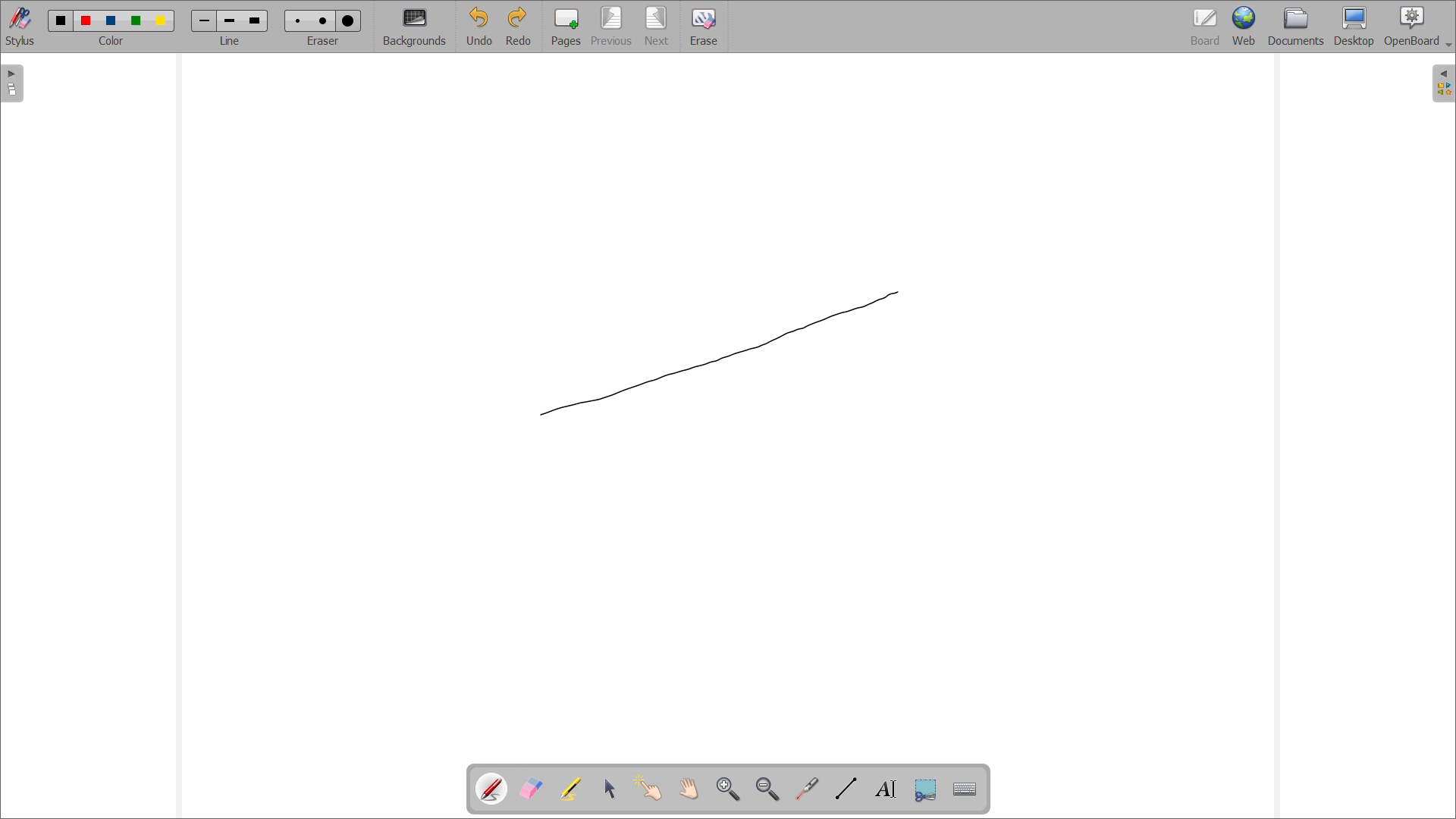 The height and width of the screenshot is (819, 1456). Describe the element at coordinates (566, 27) in the screenshot. I see `add pages` at that location.